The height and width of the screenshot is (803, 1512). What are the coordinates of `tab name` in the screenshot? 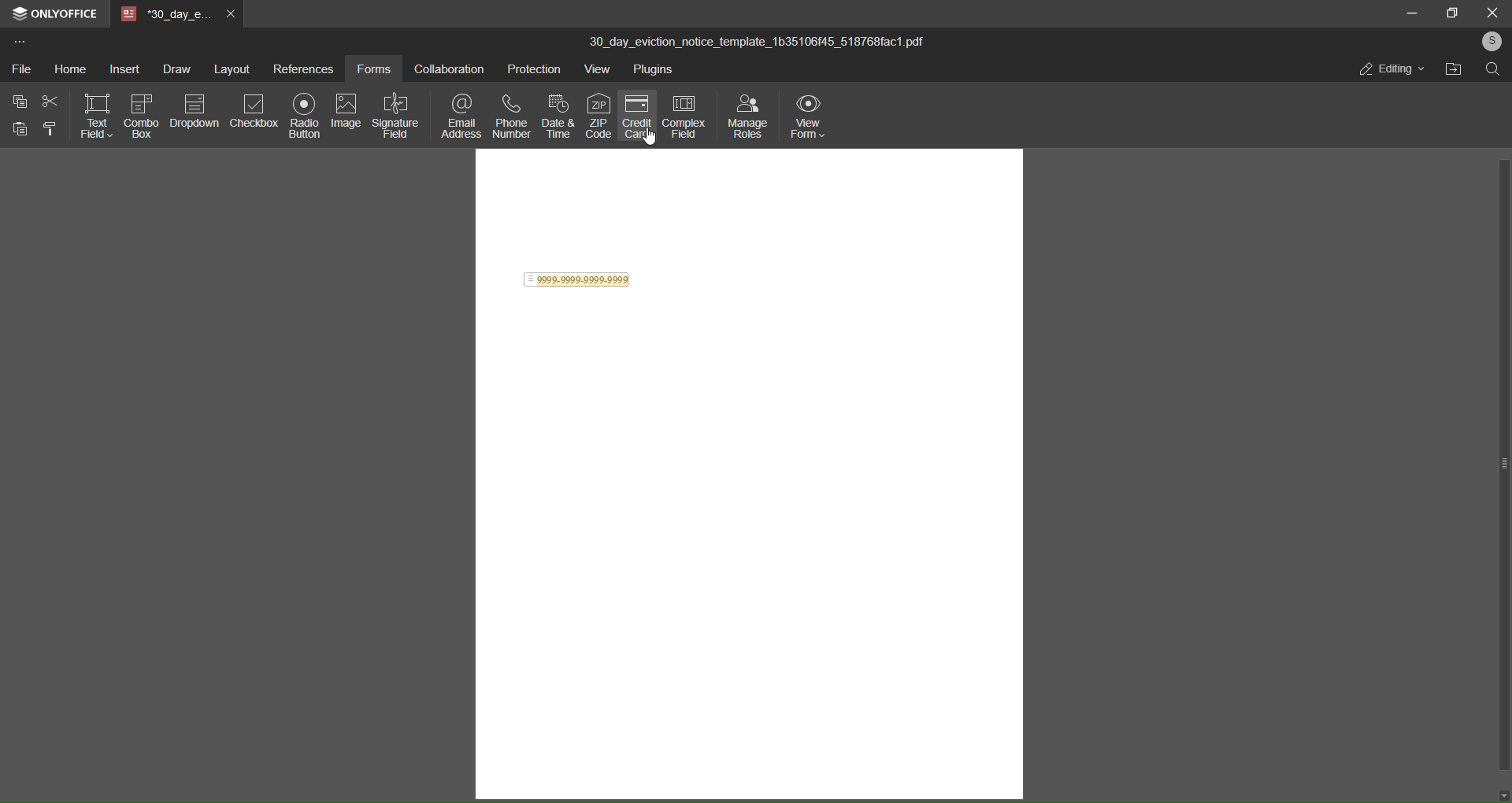 It's located at (164, 13).